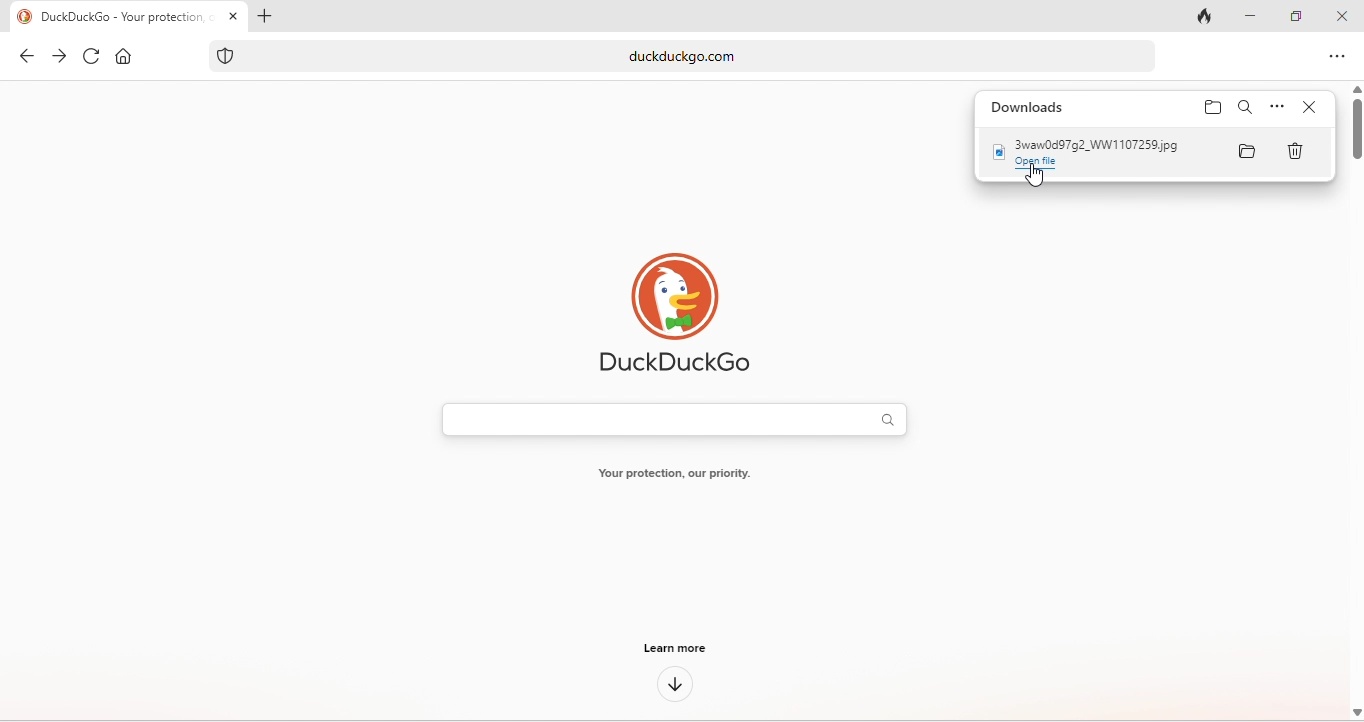 The height and width of the screenshot is (722, 1364). Describe the element at coordinates (997, 152) in the screenshot. I see `image icon` at that location.